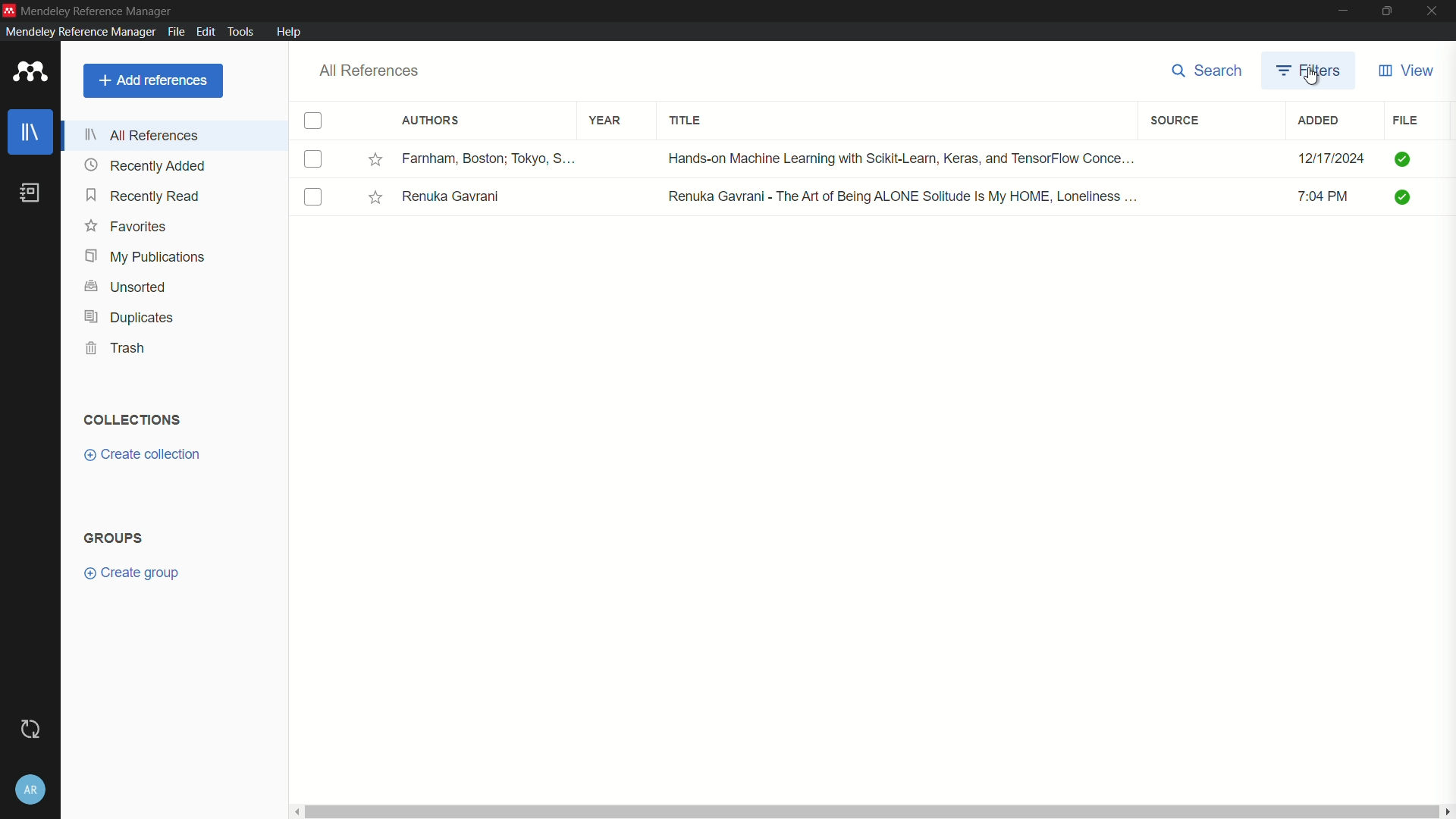 The image size is (1456, 819). I want to click on duplicates, so click(126, 318).